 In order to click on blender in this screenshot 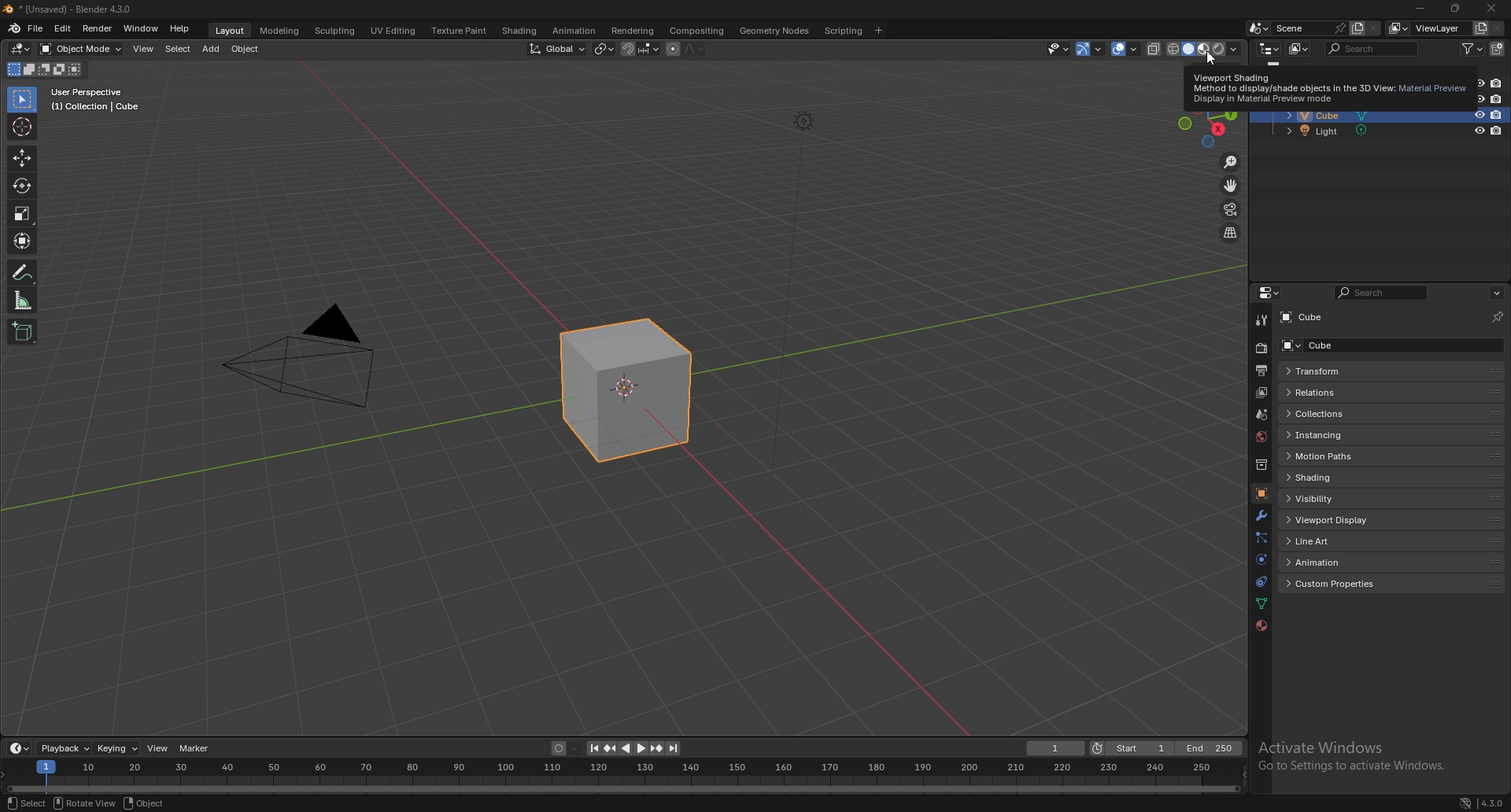, I will do `click(14, 28)`.